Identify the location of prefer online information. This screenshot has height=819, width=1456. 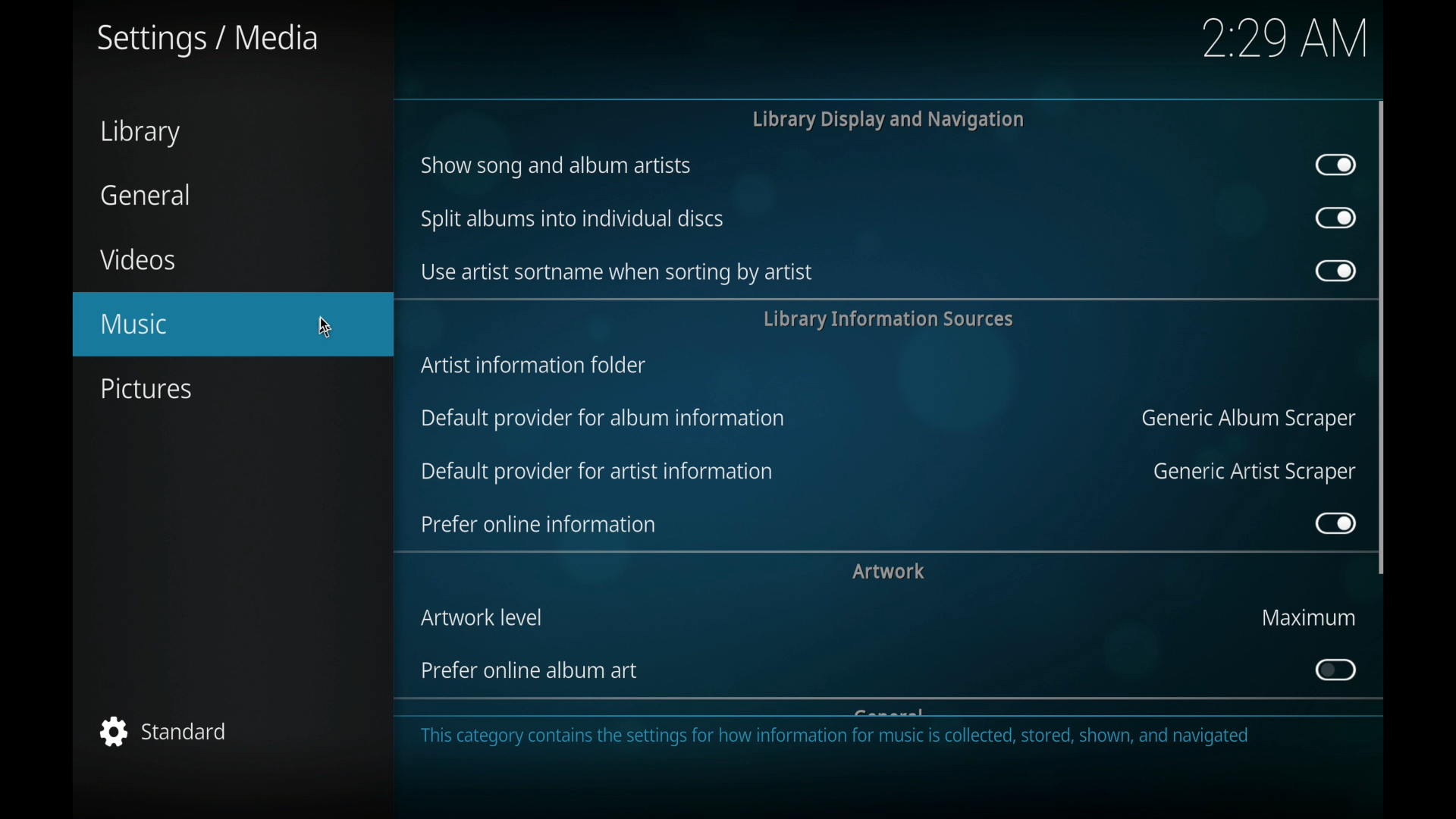
(538, 524).